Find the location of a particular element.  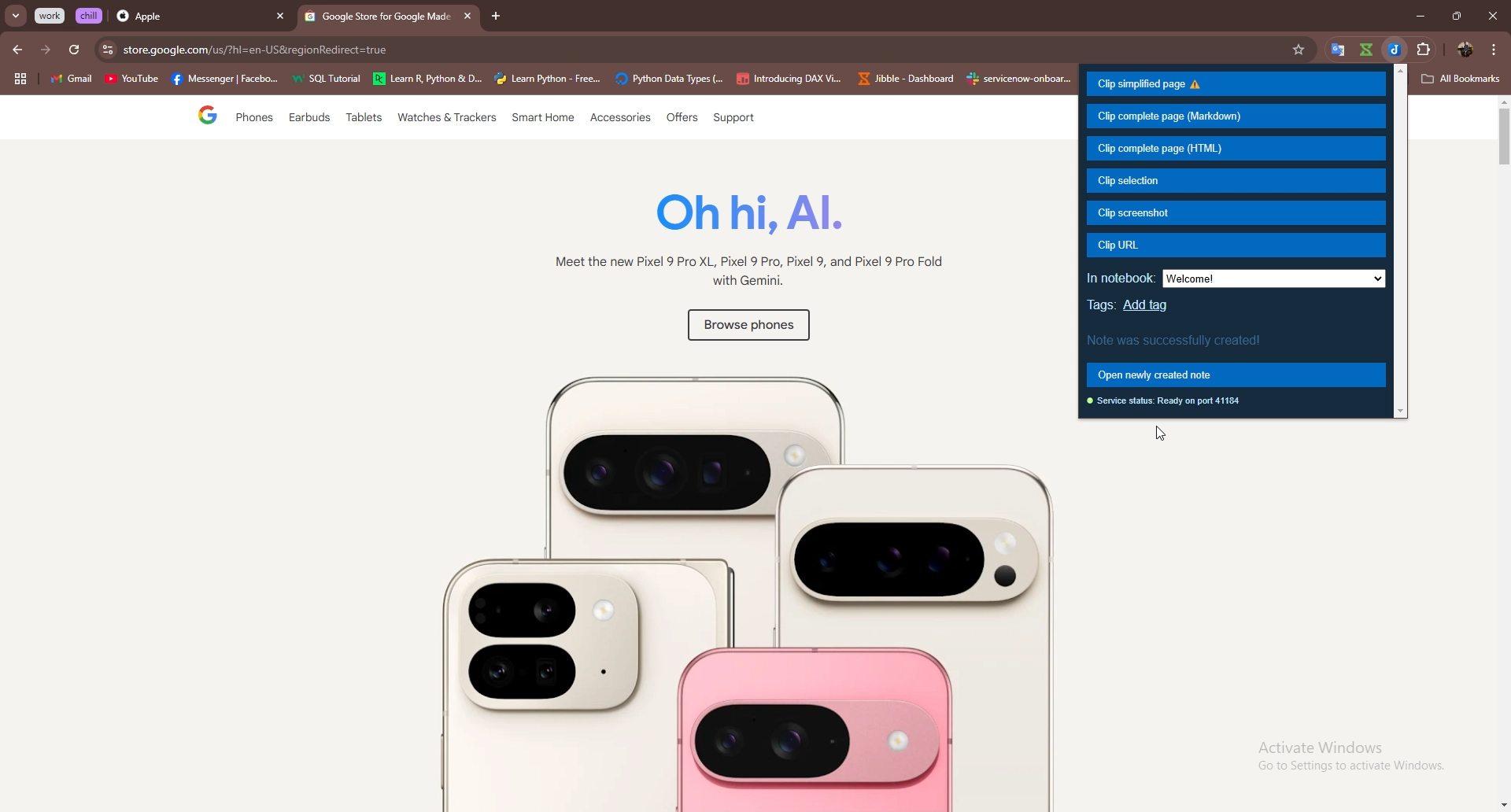

note was successfully created is located at coordinates (1179, 338).